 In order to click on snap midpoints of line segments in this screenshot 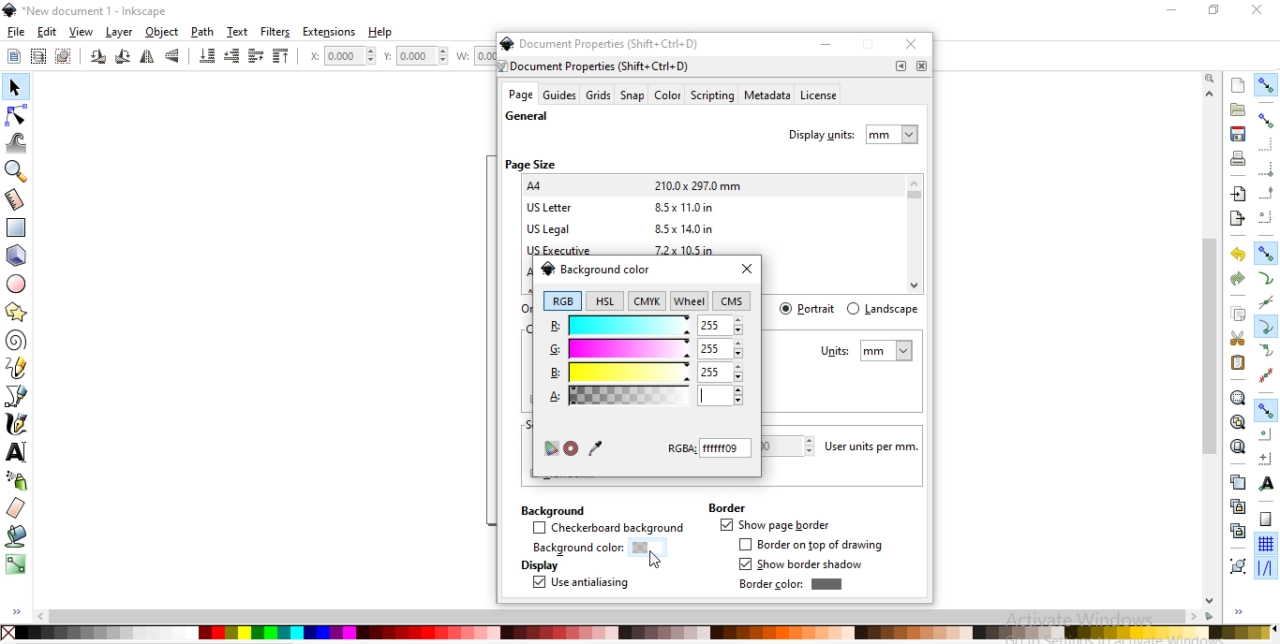, I will do `click(1264, 375)`.